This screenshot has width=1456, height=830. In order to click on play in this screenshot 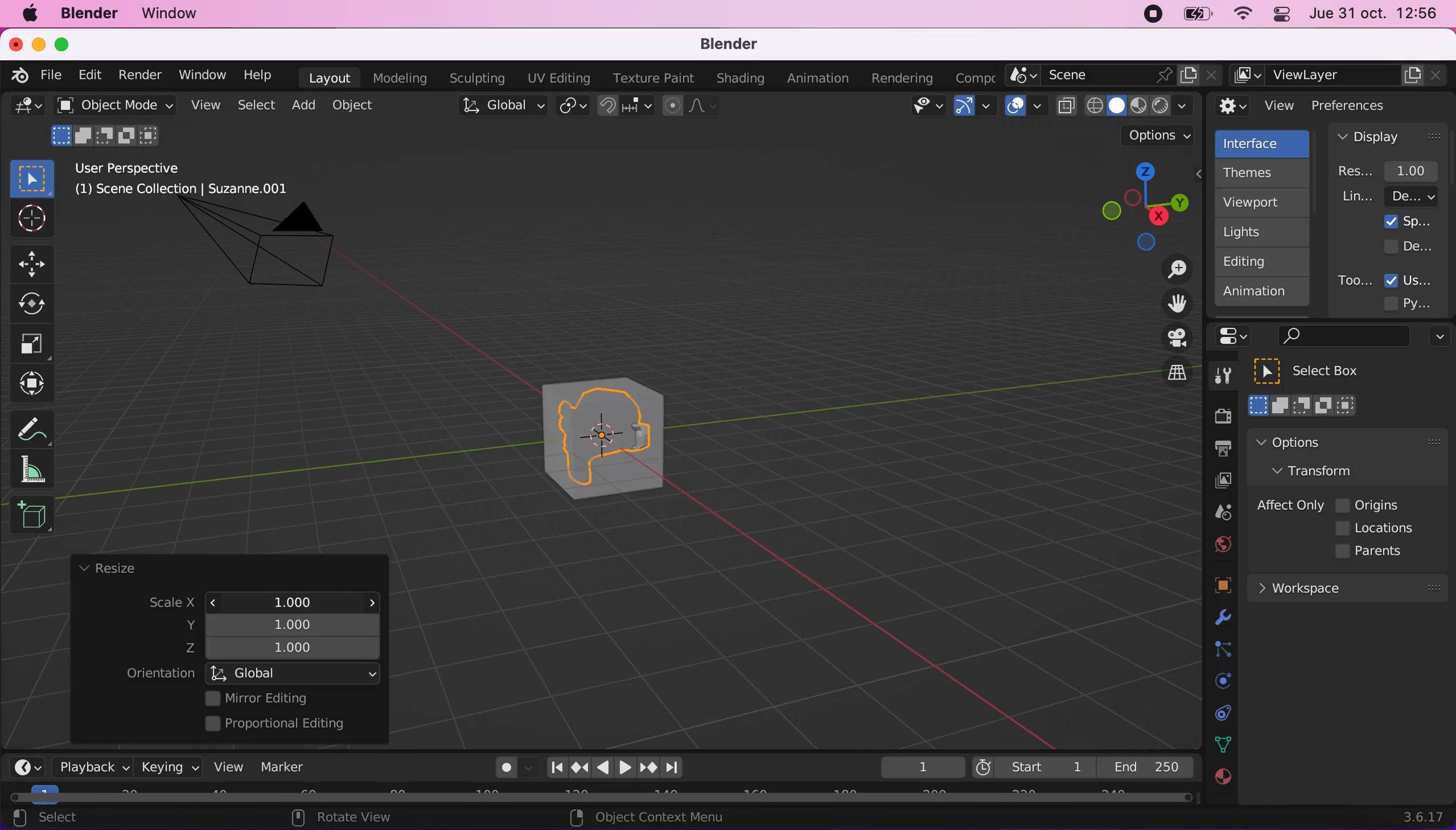, I will do `click(615, 768)`.